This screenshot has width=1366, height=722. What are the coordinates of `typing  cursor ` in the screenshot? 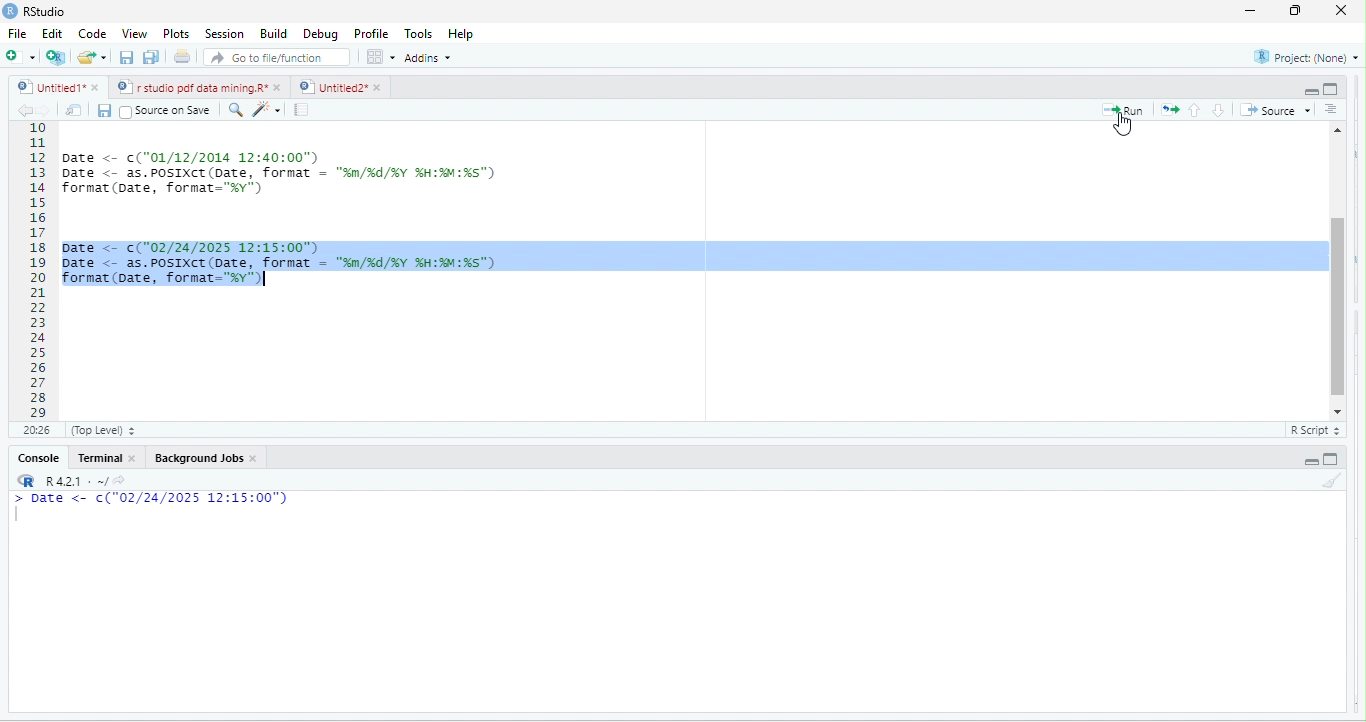 It's located at (269, 280).